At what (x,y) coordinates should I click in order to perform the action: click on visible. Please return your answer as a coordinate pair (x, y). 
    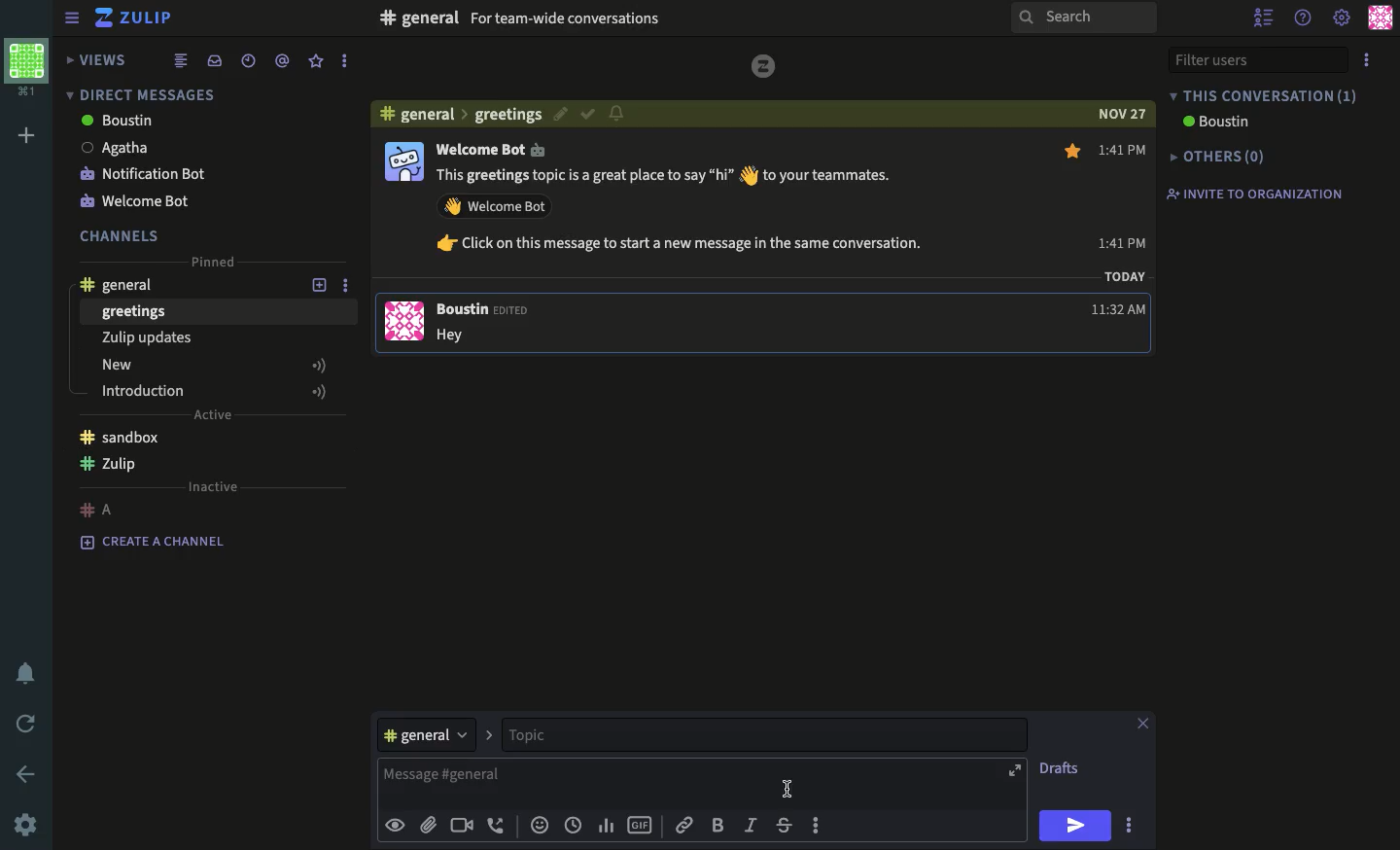
    Looking at the image, I should click on (398, 825).